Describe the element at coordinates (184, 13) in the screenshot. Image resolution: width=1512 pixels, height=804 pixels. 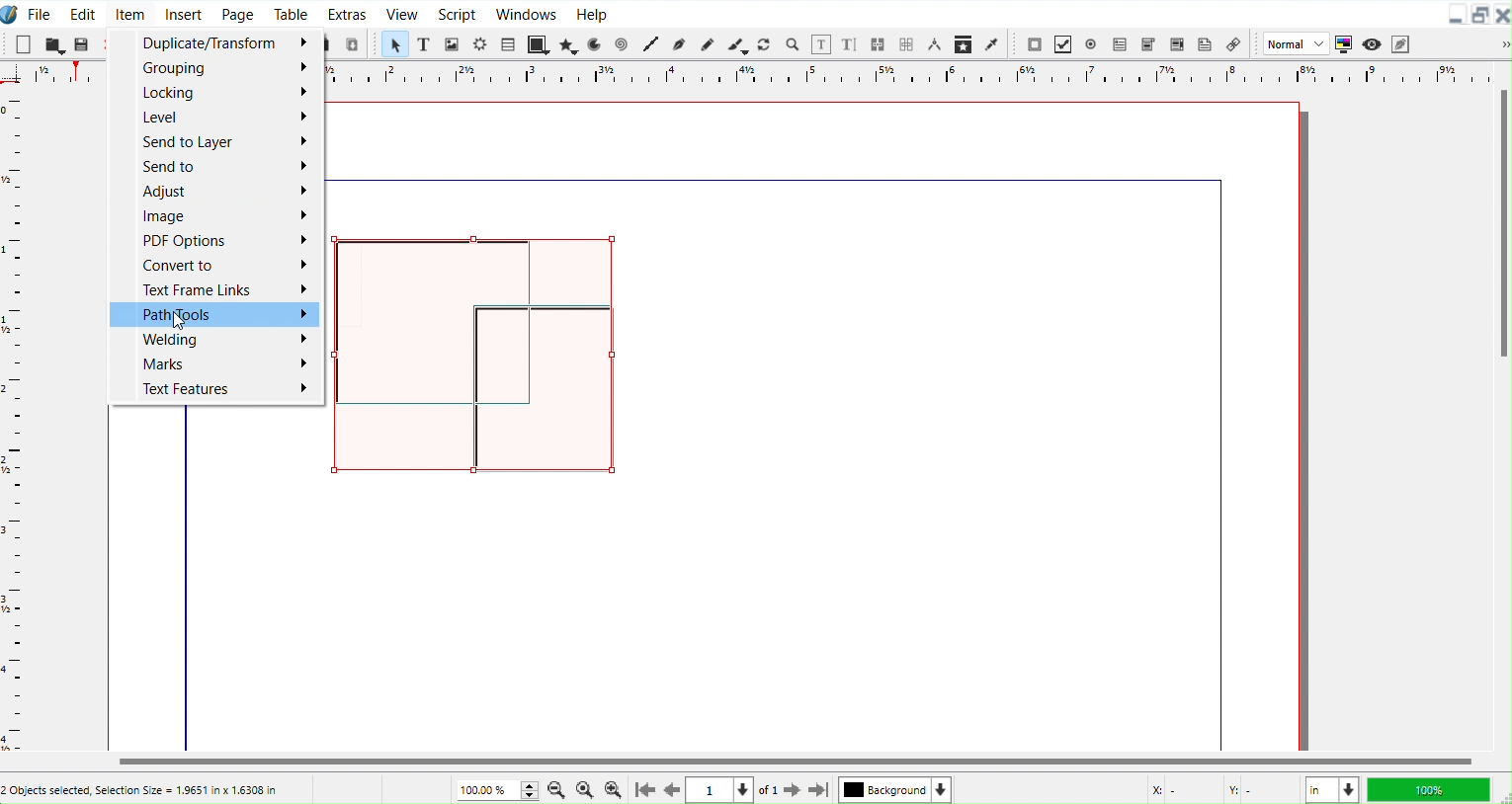
I see `Insert` at that location.